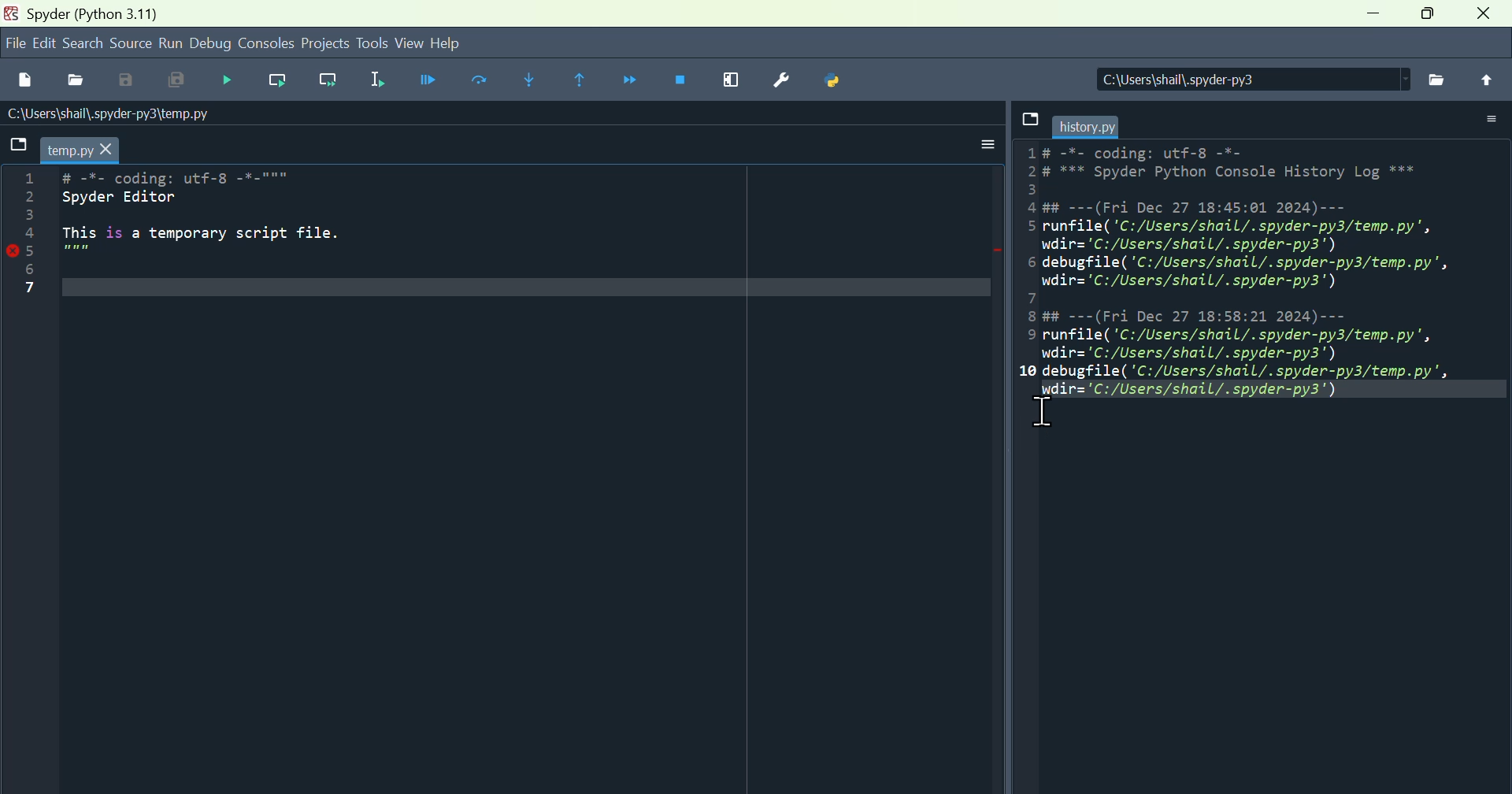  What do you see at coordinates (84, 149) in the screenshot?
I see `filename -temp.py` at bounding box center [84, 149].